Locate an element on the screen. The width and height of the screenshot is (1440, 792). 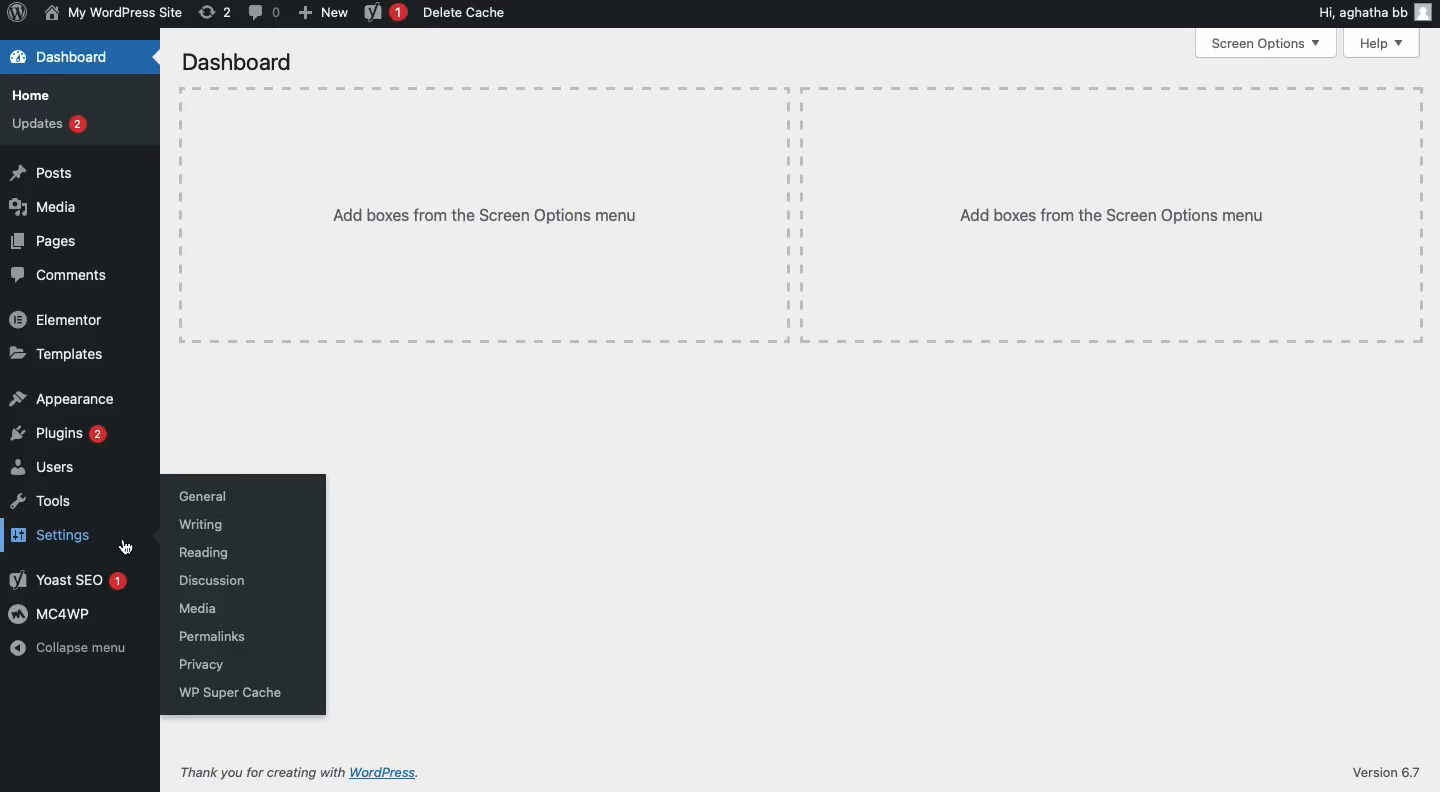
Media is located at coordinates (197, 608).